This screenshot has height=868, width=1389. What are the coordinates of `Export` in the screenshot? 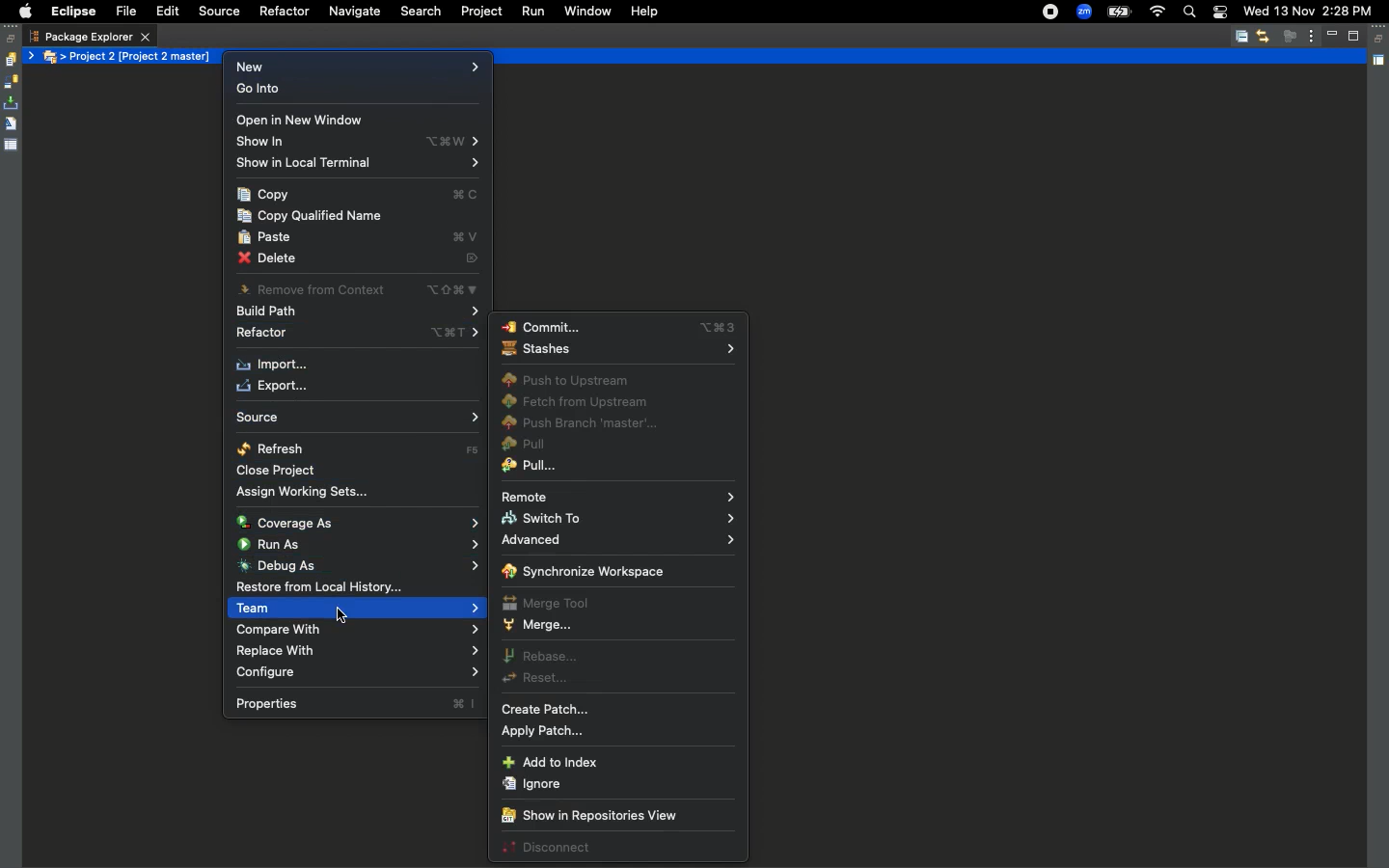 It's located at (278, 386).